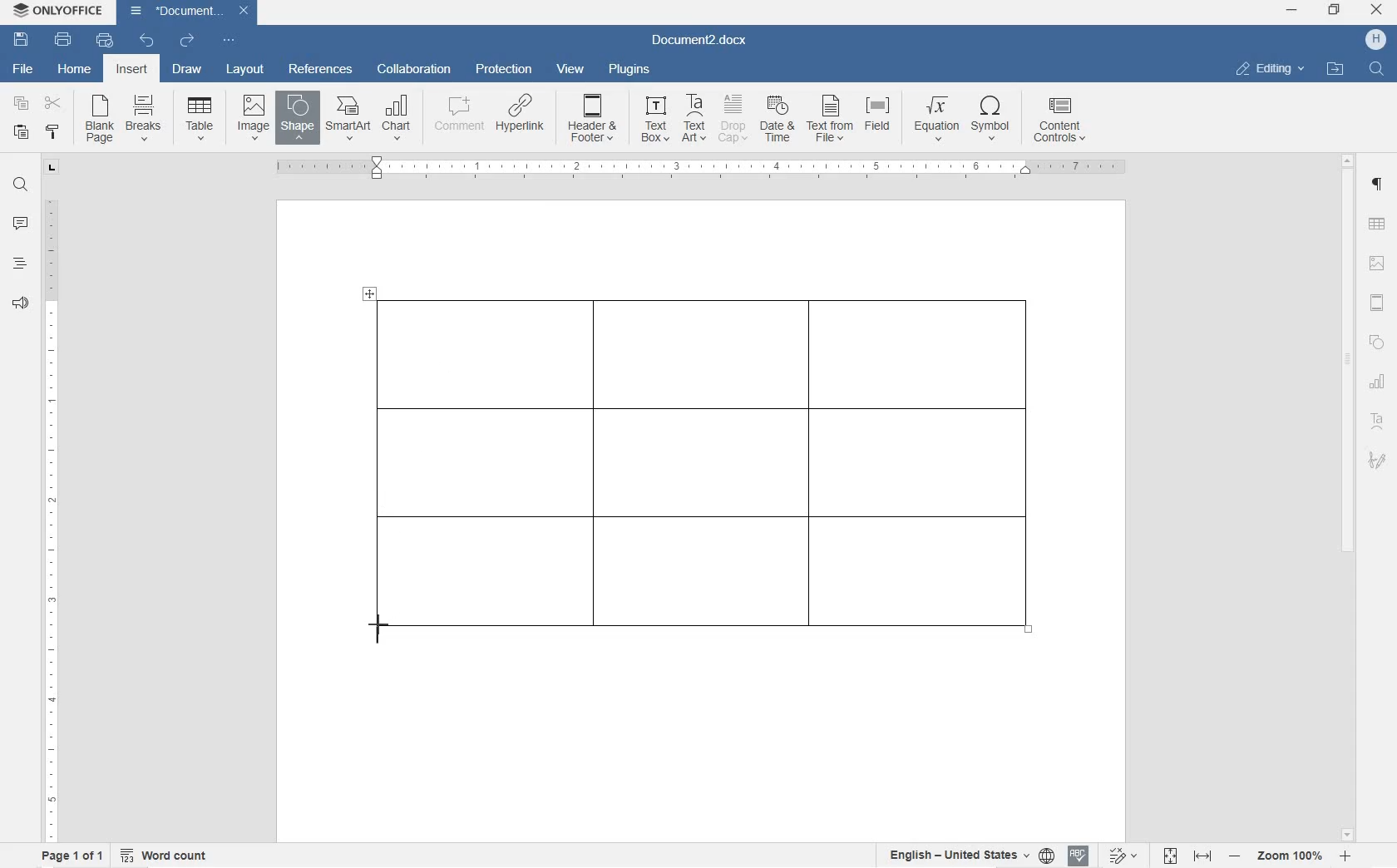  What do you see at coordinates (1378, 303) in the screenshot?
I see `header & footer` at bounding box center [1378, 303].